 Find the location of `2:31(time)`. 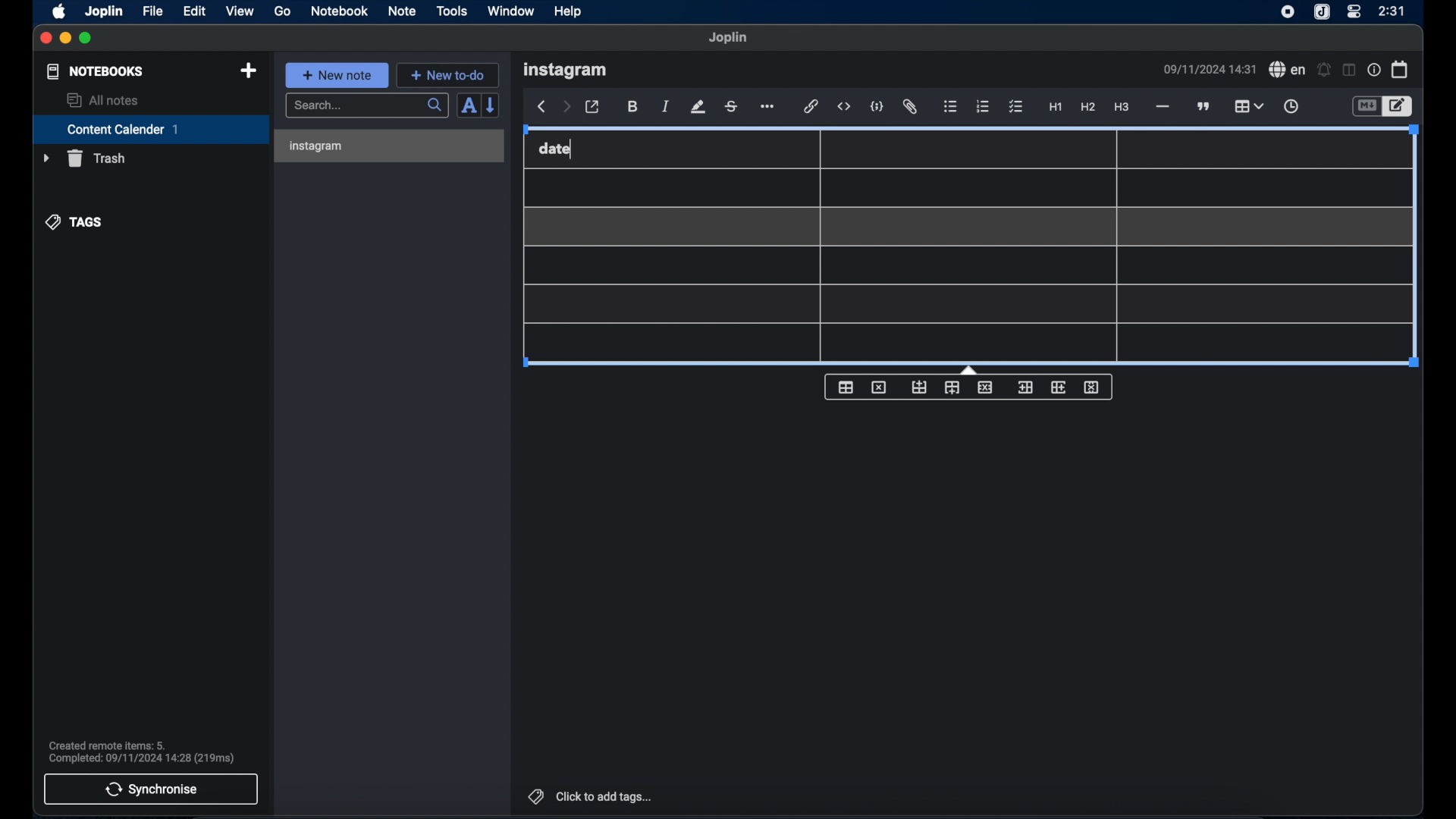

2:31(time) is located at coordinates (1392, 11).